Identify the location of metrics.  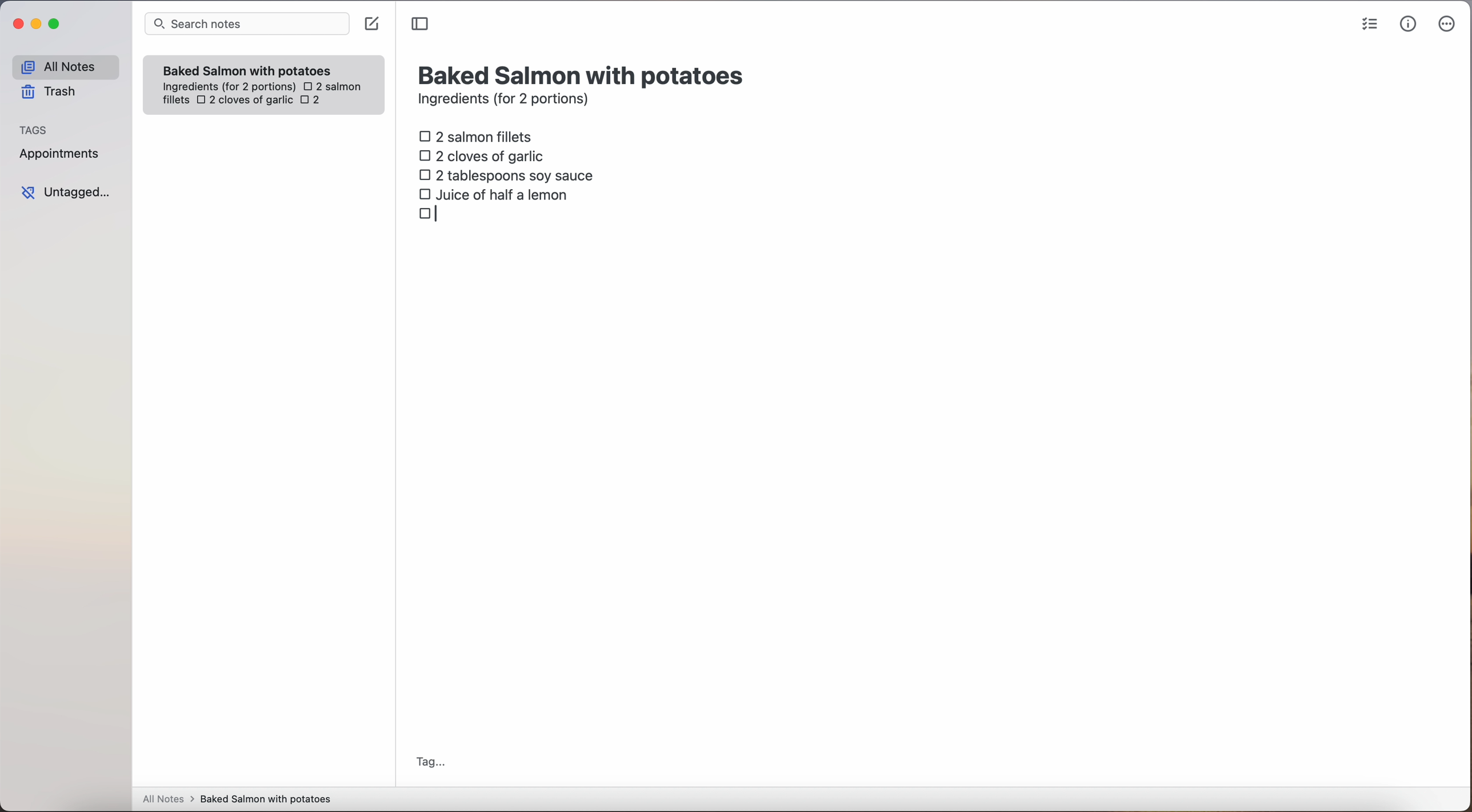
(1409, 23).